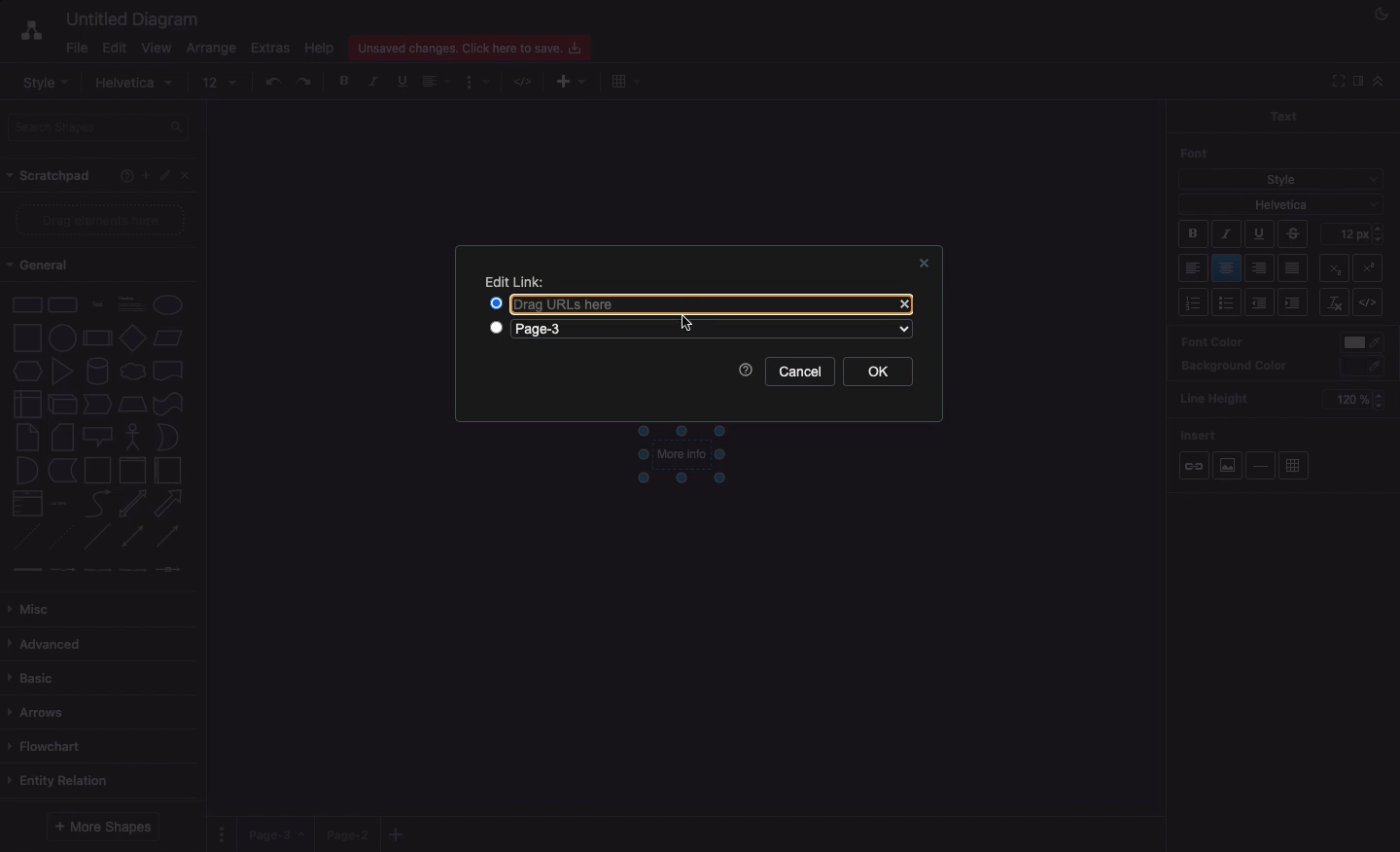  What do you see at coordinates (1380, 15) in the screenshot?
I see `Night mode on` at bounding box center [1380, 15].